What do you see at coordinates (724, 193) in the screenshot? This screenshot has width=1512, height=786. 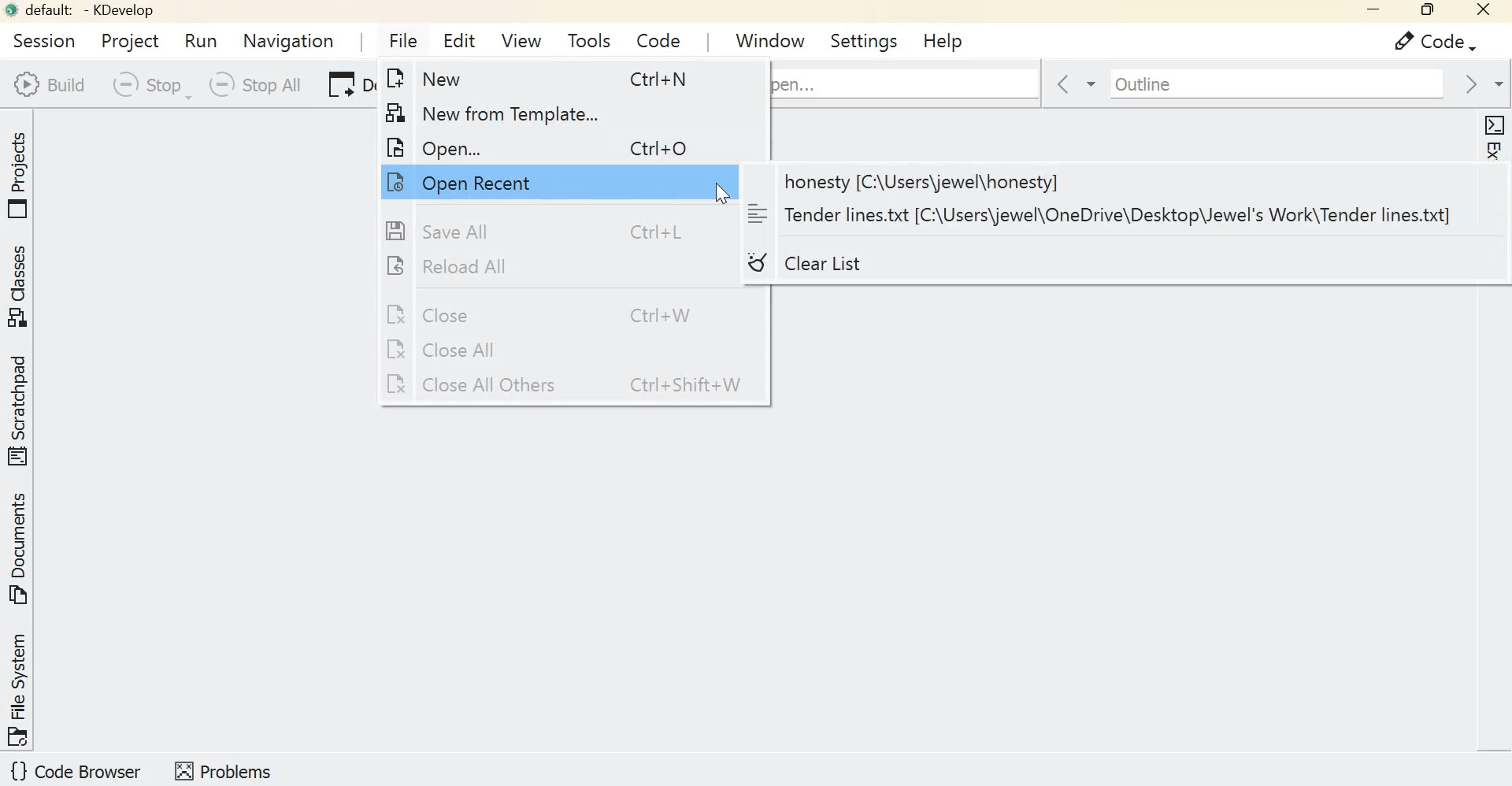 I see `cursor` at bounding box center [724, 193].